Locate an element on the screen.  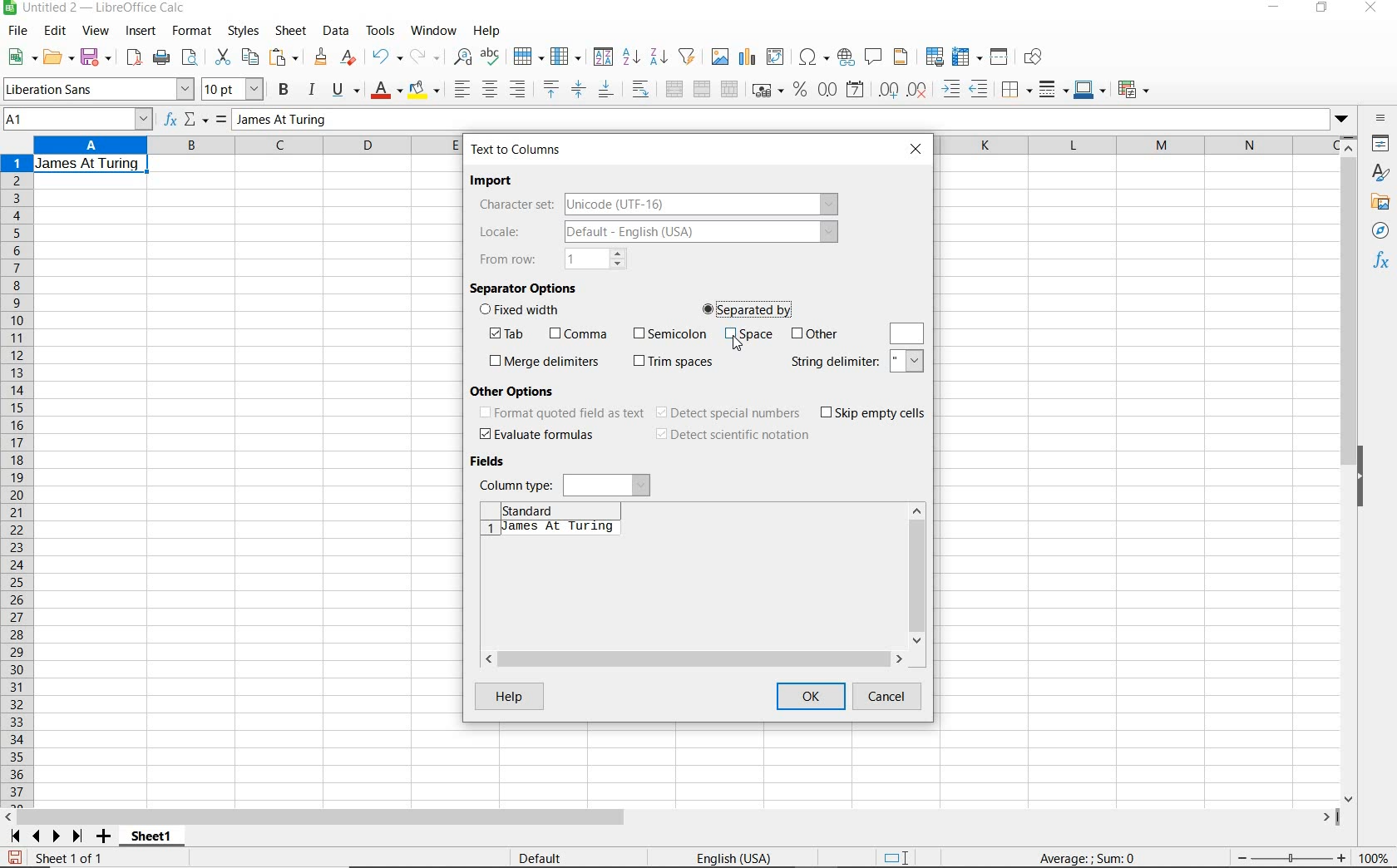
import is located at coordinates (495, 181).